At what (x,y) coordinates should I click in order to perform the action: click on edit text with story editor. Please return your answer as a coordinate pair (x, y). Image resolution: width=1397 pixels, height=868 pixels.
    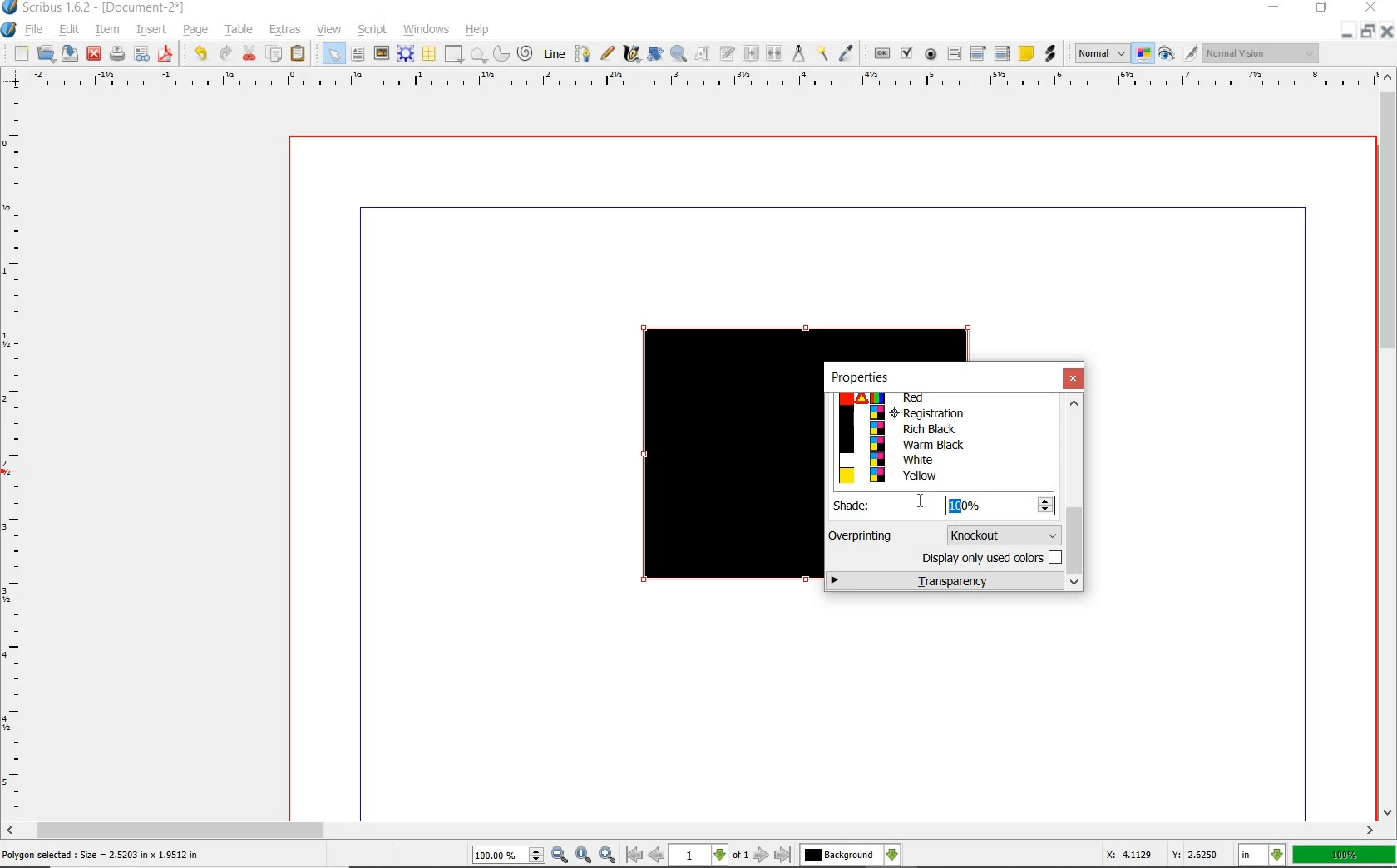
    Looking at the image, I should click on (727, 55).